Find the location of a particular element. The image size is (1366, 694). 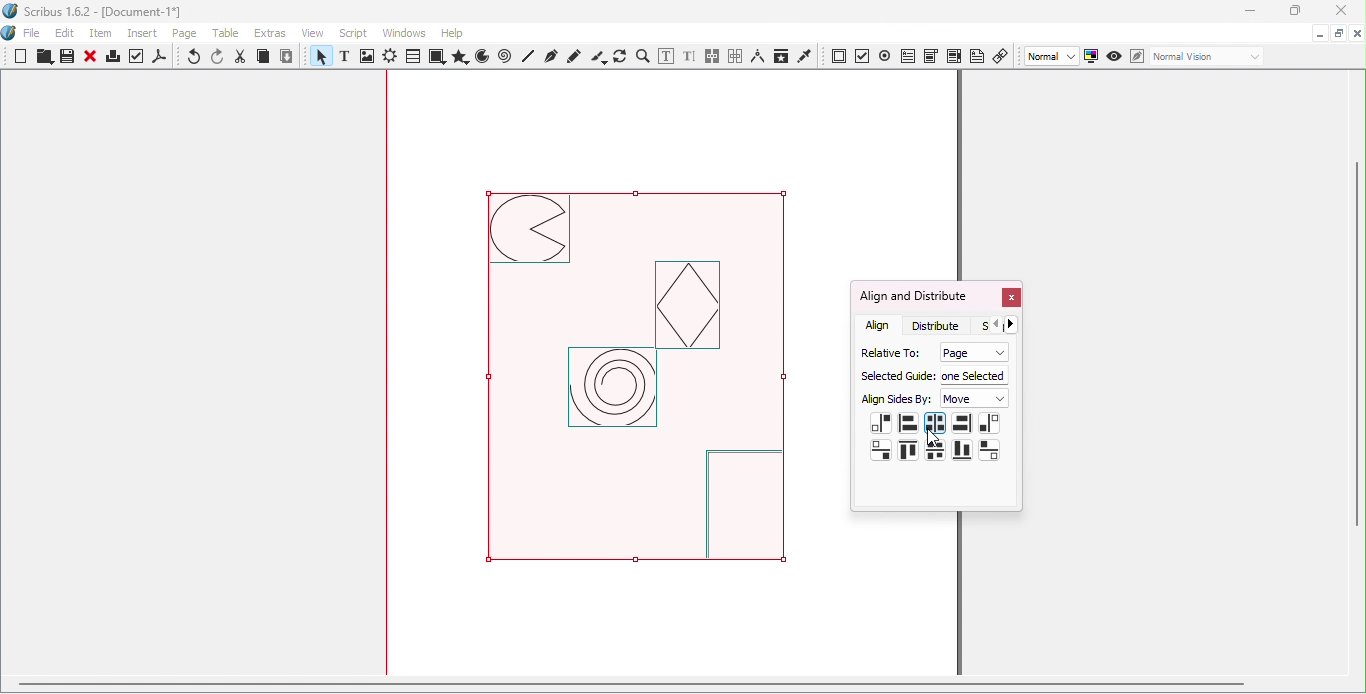

Select the visual appearance of the display is located at coordinates (1206, 57).